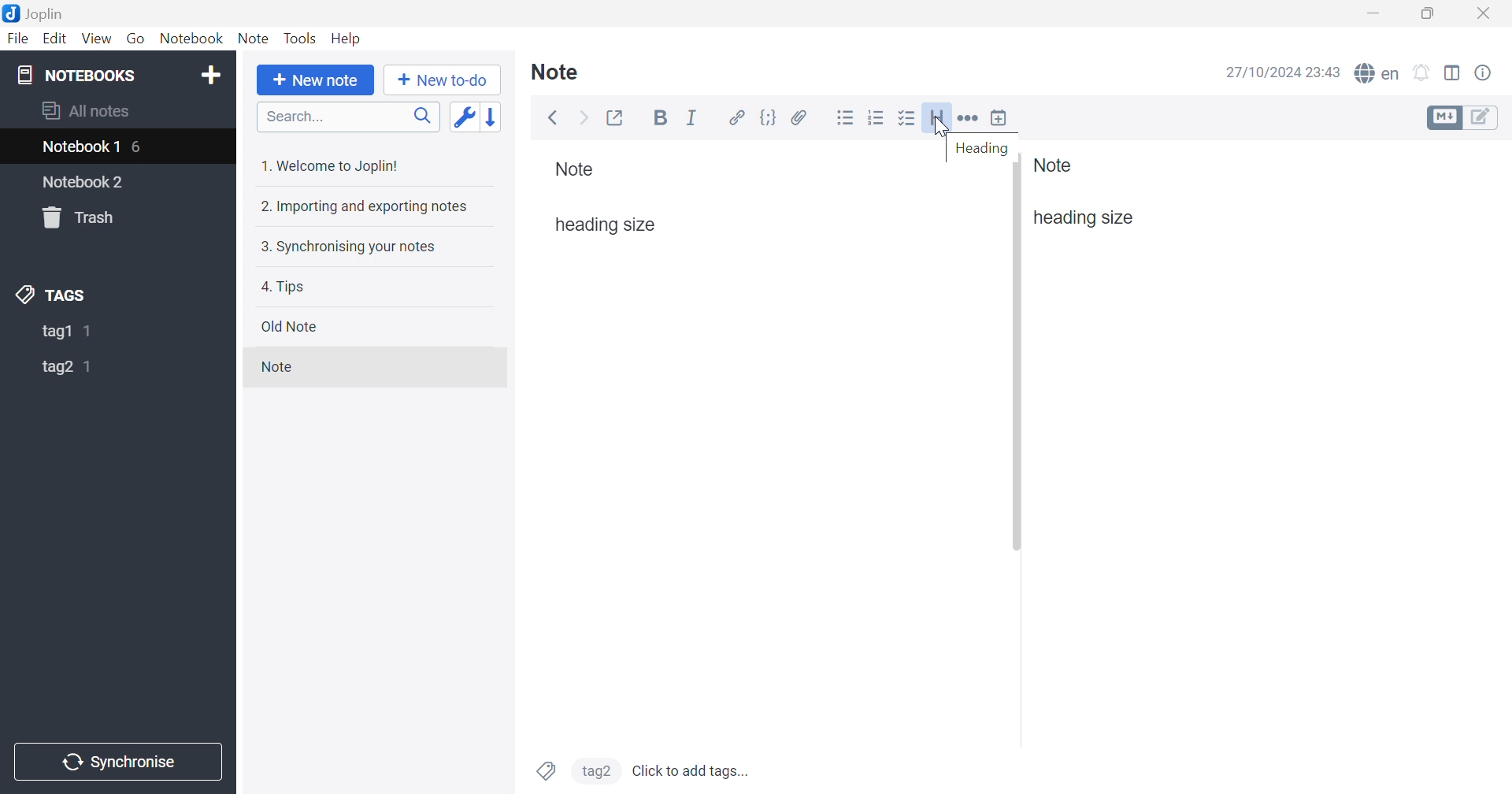 This screenshot has height=794, width=1512. I want to click on Toggle external editing, so click(616, 119).